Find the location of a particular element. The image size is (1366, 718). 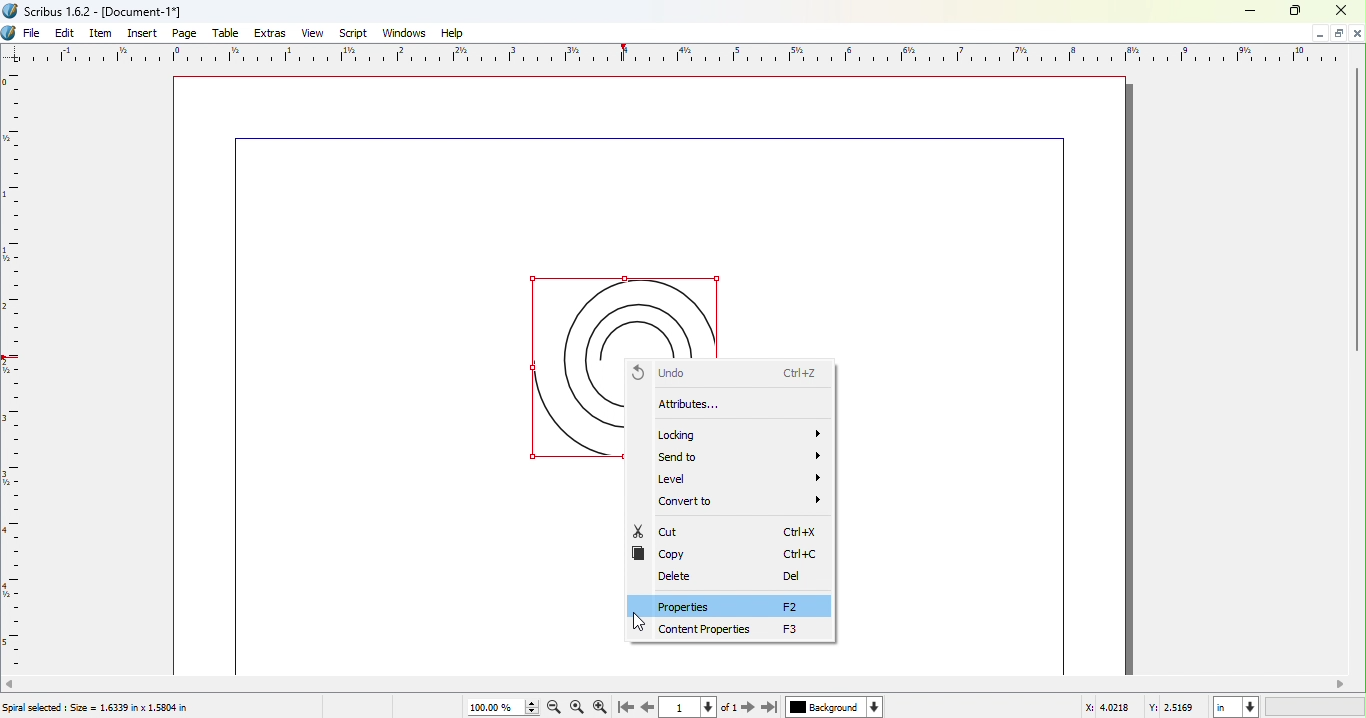

Go to the next page is located at coordinates (748, 707).